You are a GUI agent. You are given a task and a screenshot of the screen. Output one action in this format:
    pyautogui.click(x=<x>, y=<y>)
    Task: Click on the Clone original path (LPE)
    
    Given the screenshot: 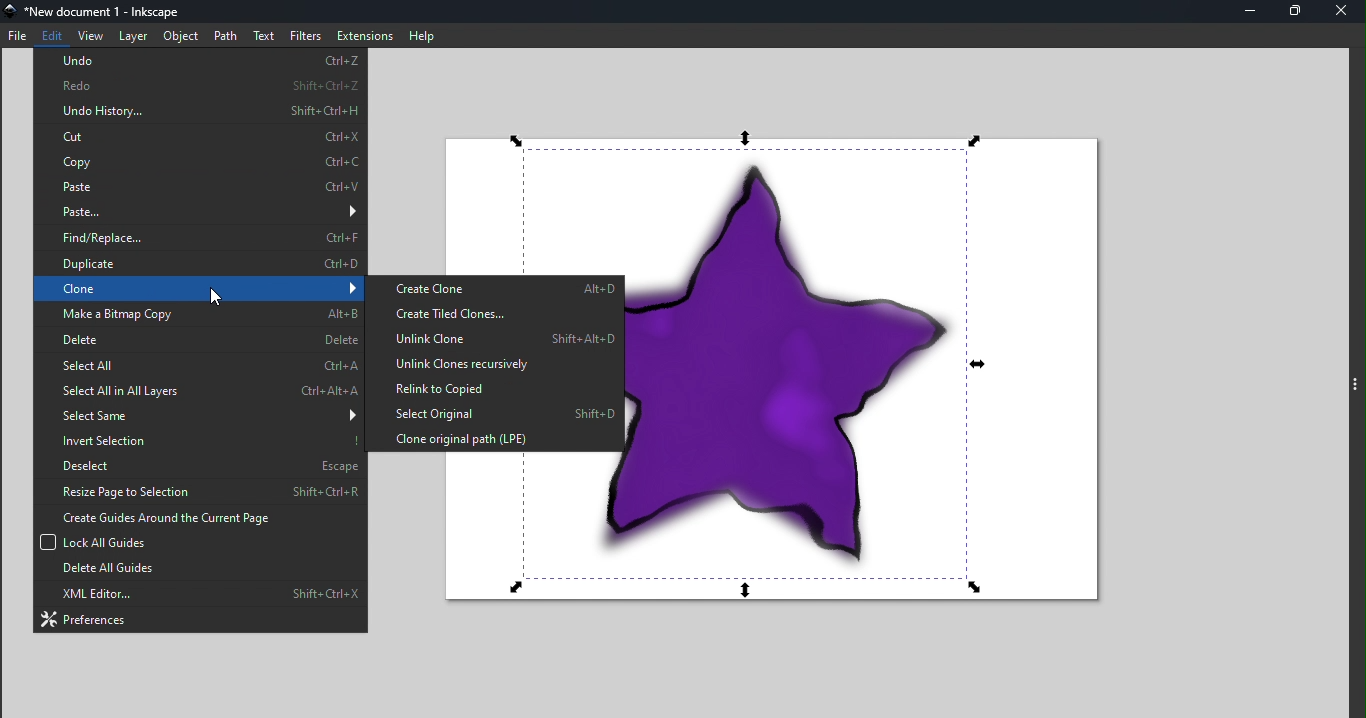 What is the action you would take?
    pyautogui.click(x=494, y=438)
    